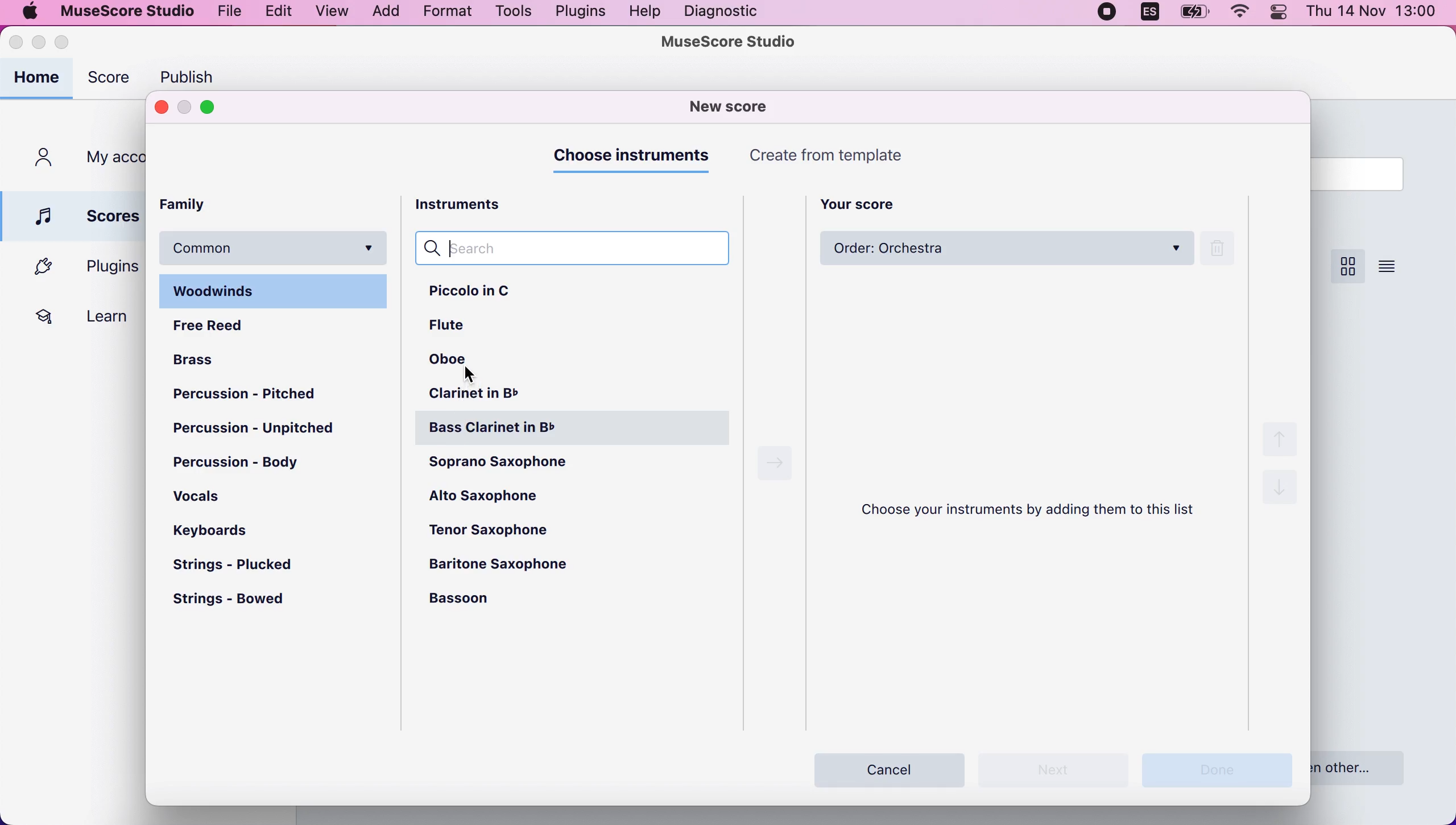 The height and width of the screenshot is (825, 1456). Describe the element at coordinates (731, 43) in the screenshot. I see `musescore studio` at that location.